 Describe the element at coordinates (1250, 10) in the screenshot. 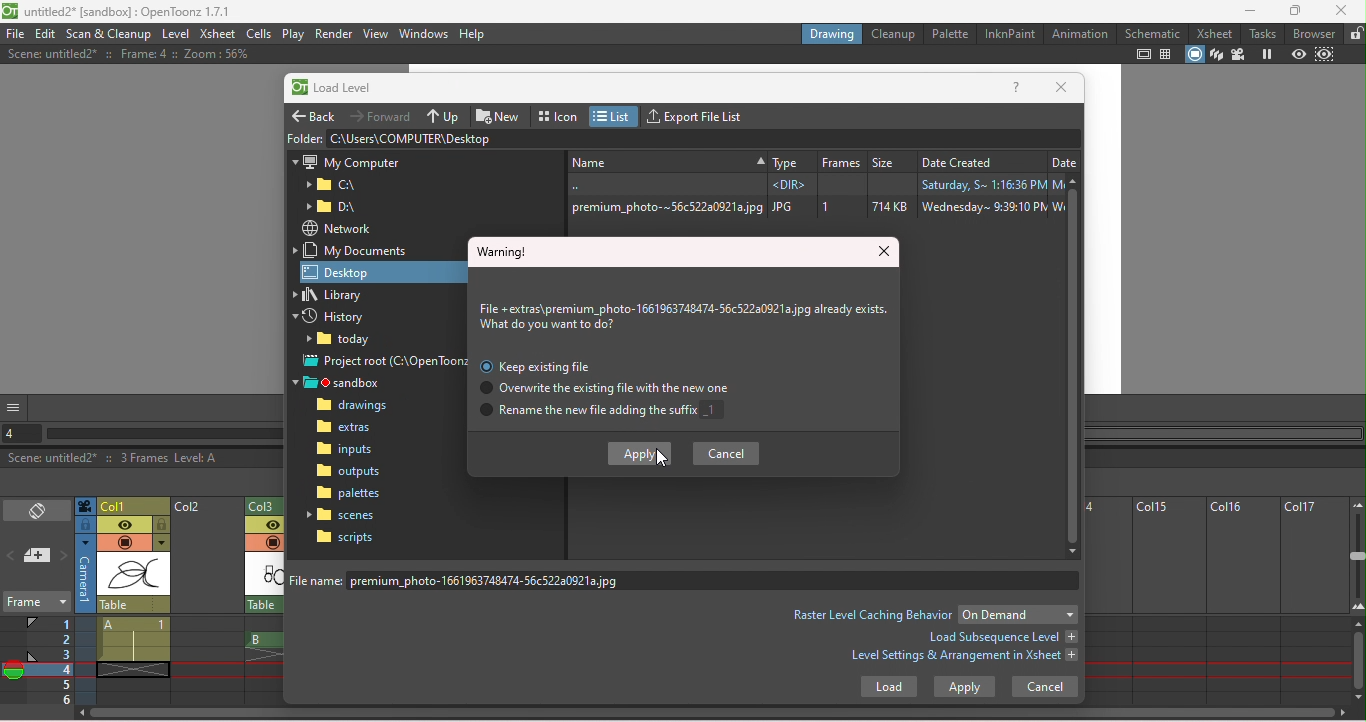

I see `Minimize` at that location.